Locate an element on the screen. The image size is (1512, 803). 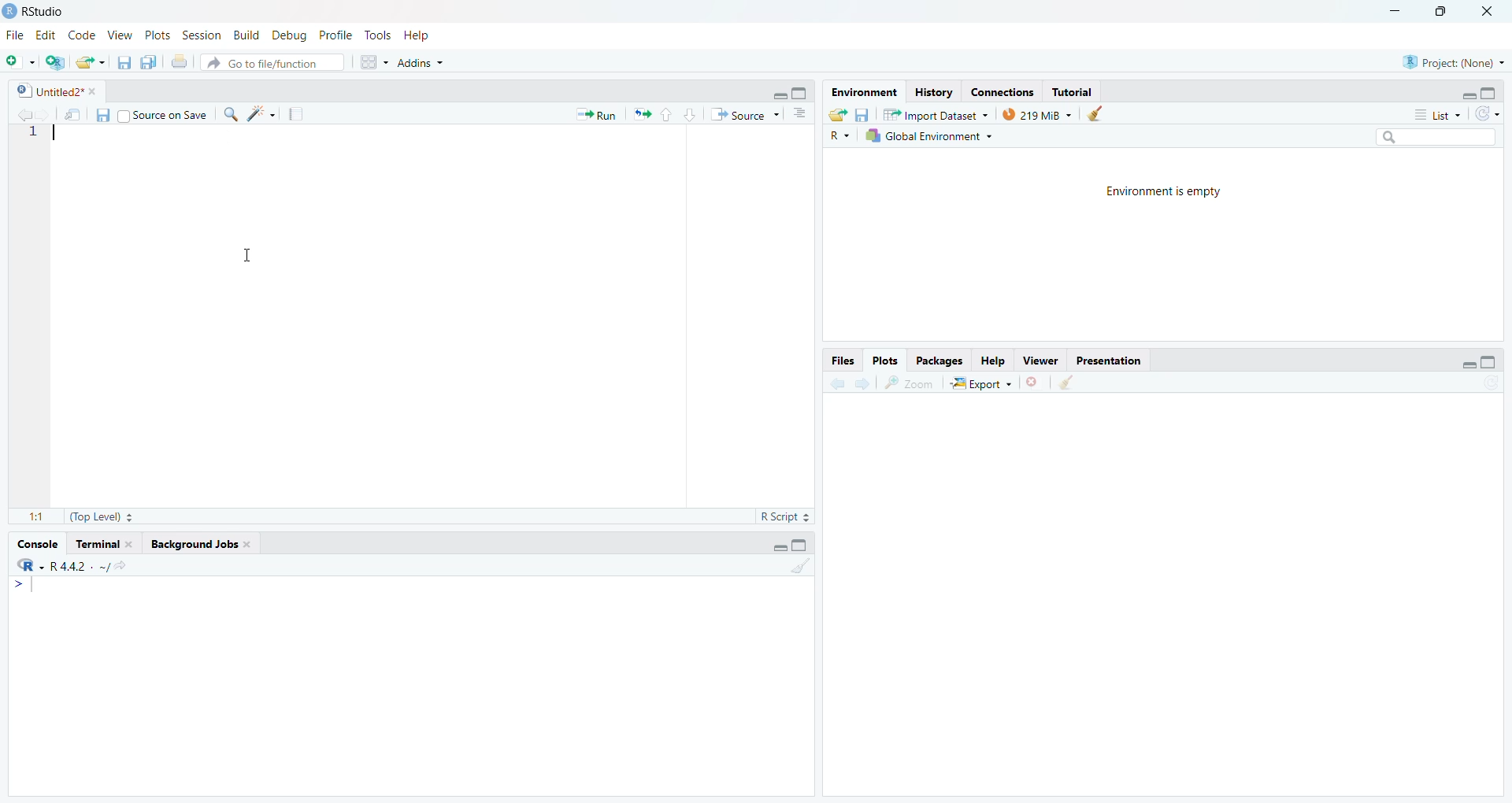
Environment is located at coordinates (865, 92).